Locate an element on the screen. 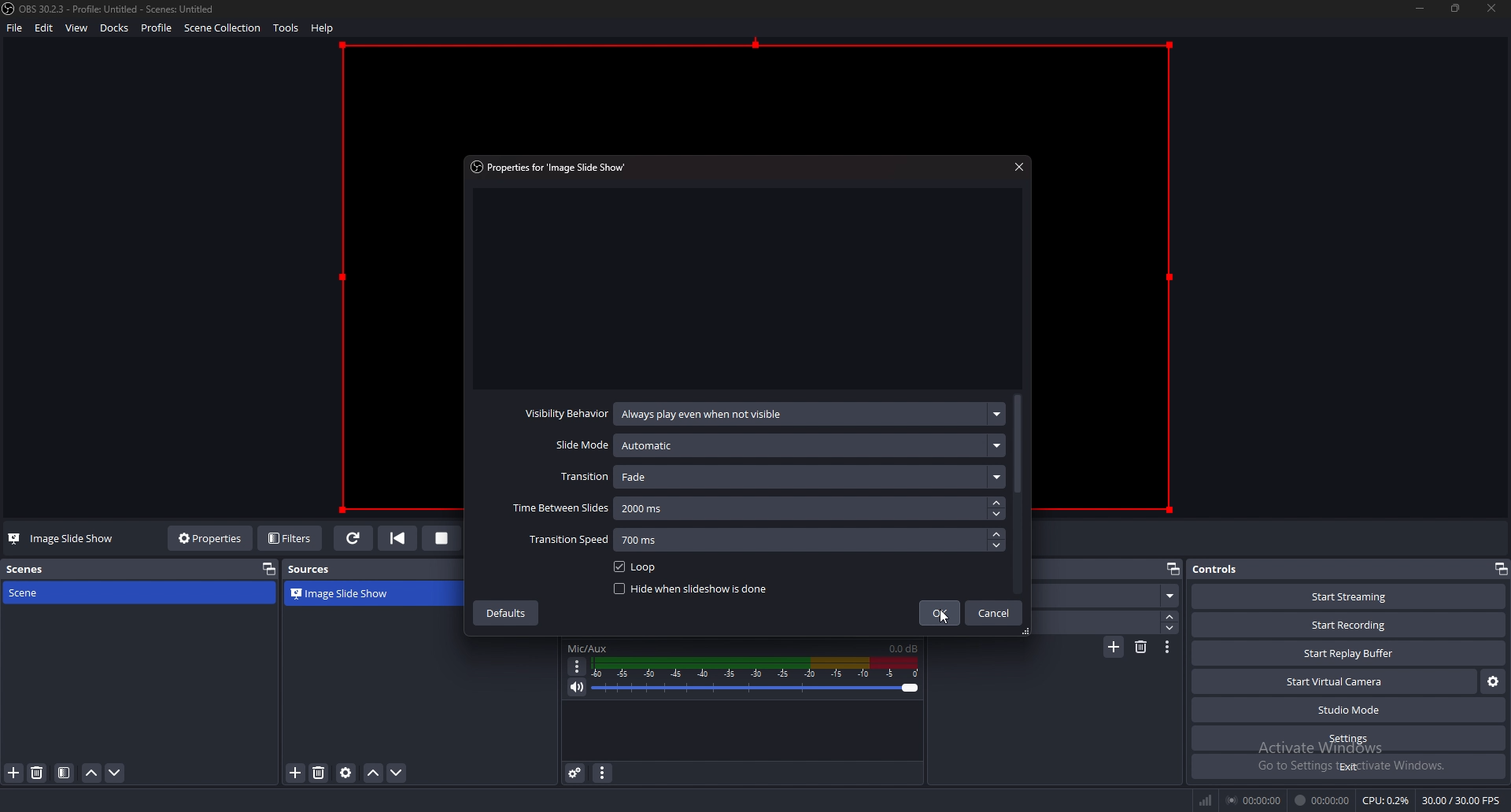 The height and width of the screenshot is (812, 1511). audio mixer menu is located at coordinates (602, 773).